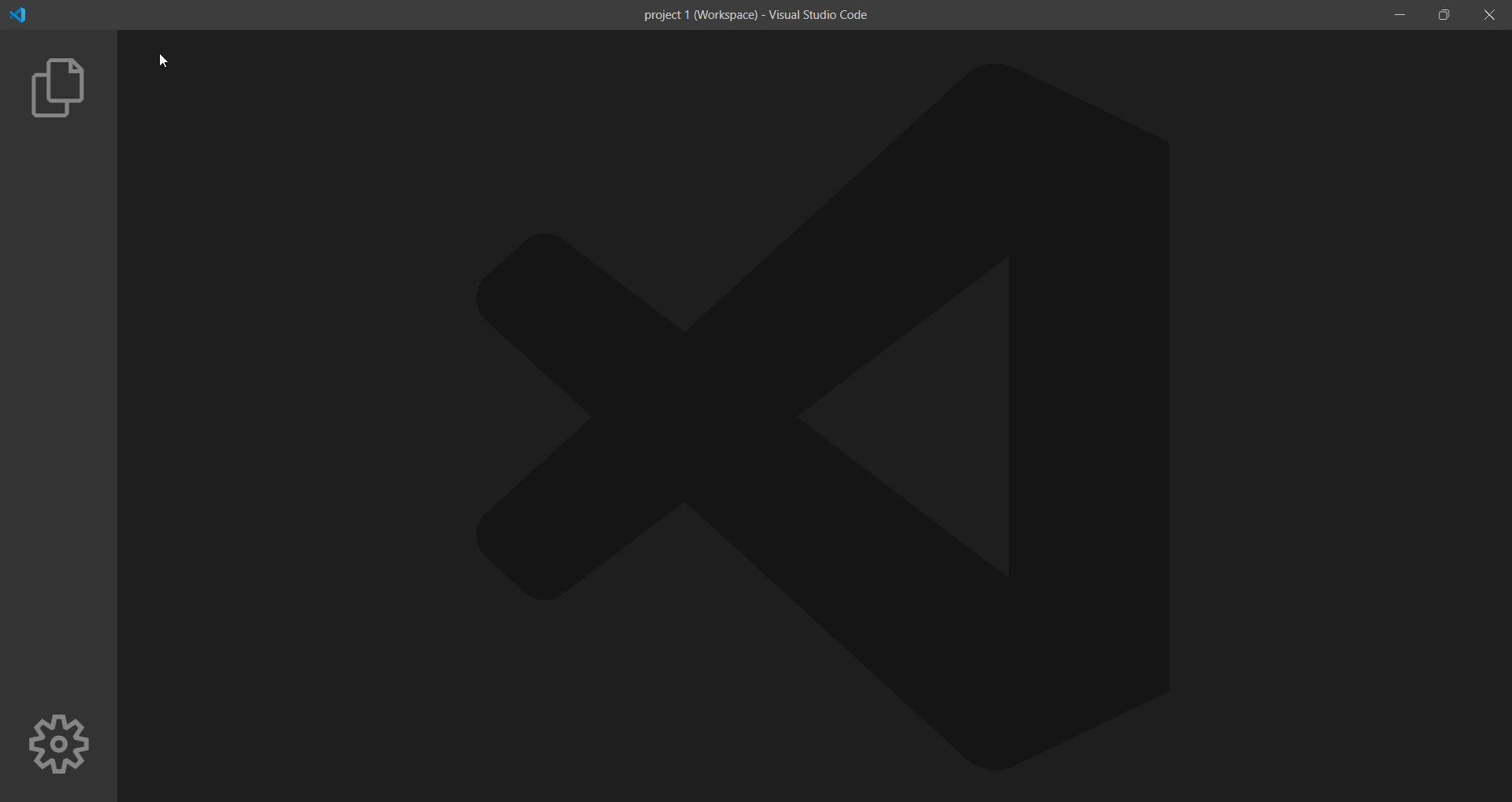 The image size is (1512, 802). I want to click on close, so click(1488, 15).